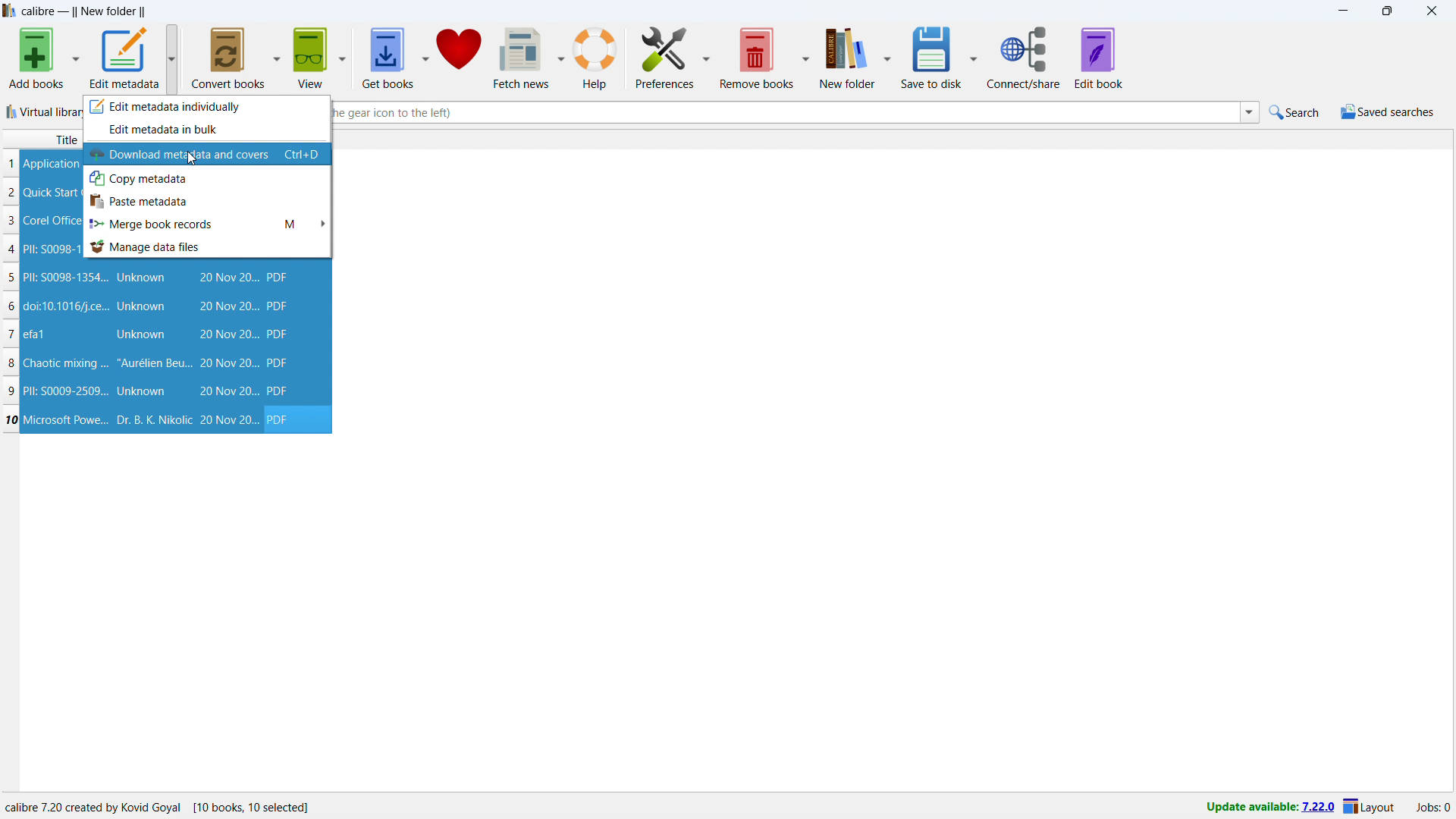 The width and height of the screenshot is (1456, 819). Describe the element at coordinates (459, 58) in the screenshot. I see `donate to calibre` at that location.